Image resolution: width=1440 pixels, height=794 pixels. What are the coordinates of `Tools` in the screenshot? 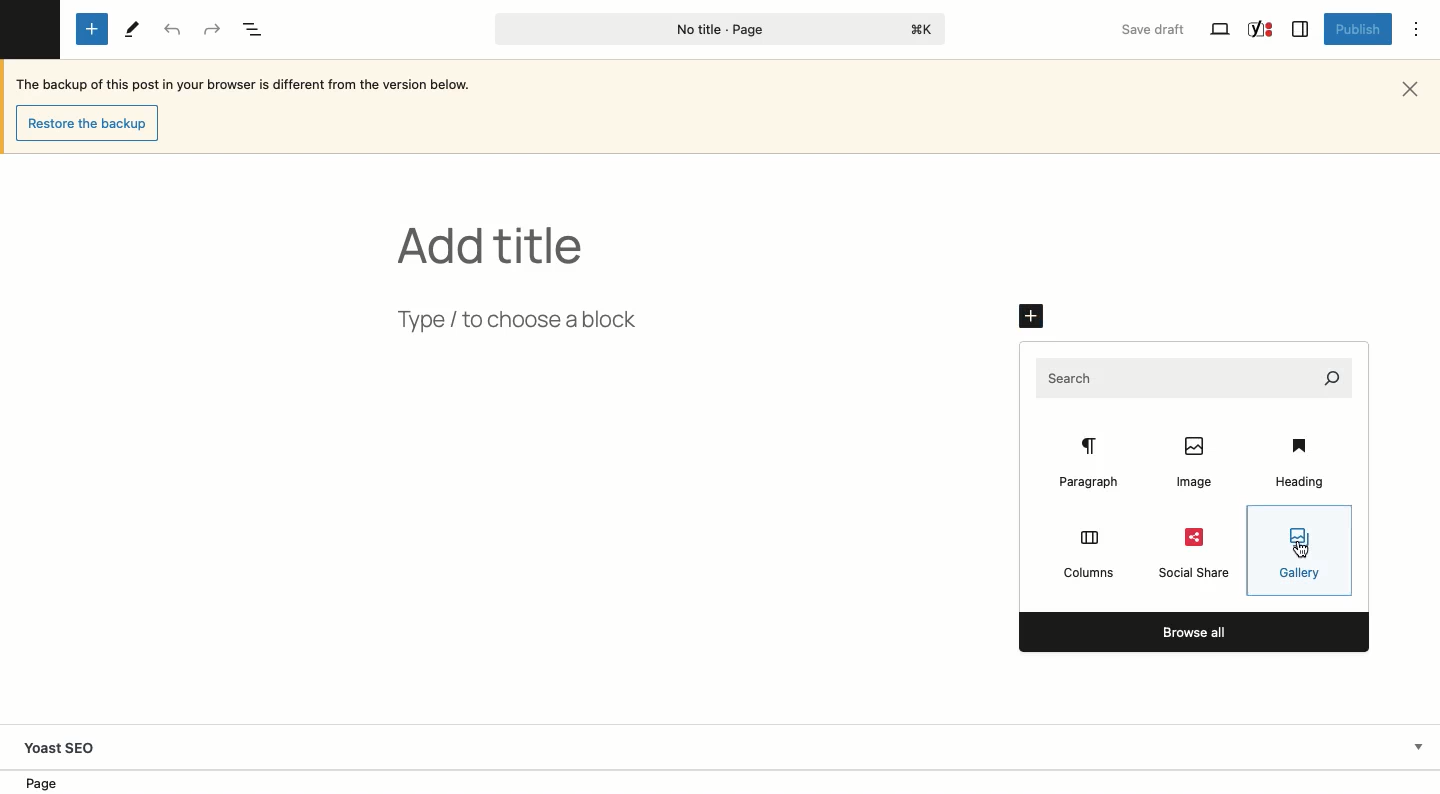 It's located at (129, 28).